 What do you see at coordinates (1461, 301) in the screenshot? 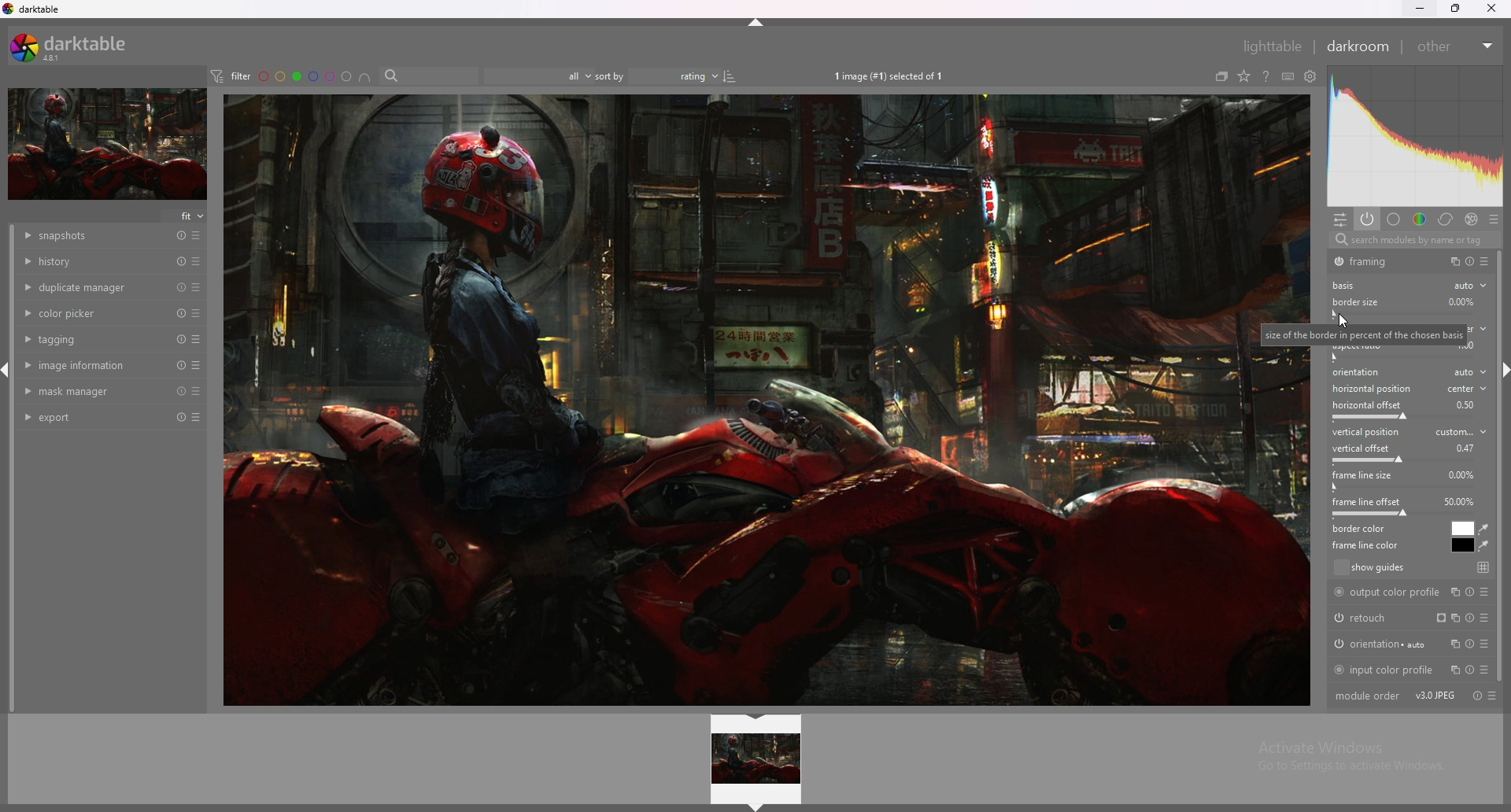
I see `border size percentage` at bounding box center [1461, 301].